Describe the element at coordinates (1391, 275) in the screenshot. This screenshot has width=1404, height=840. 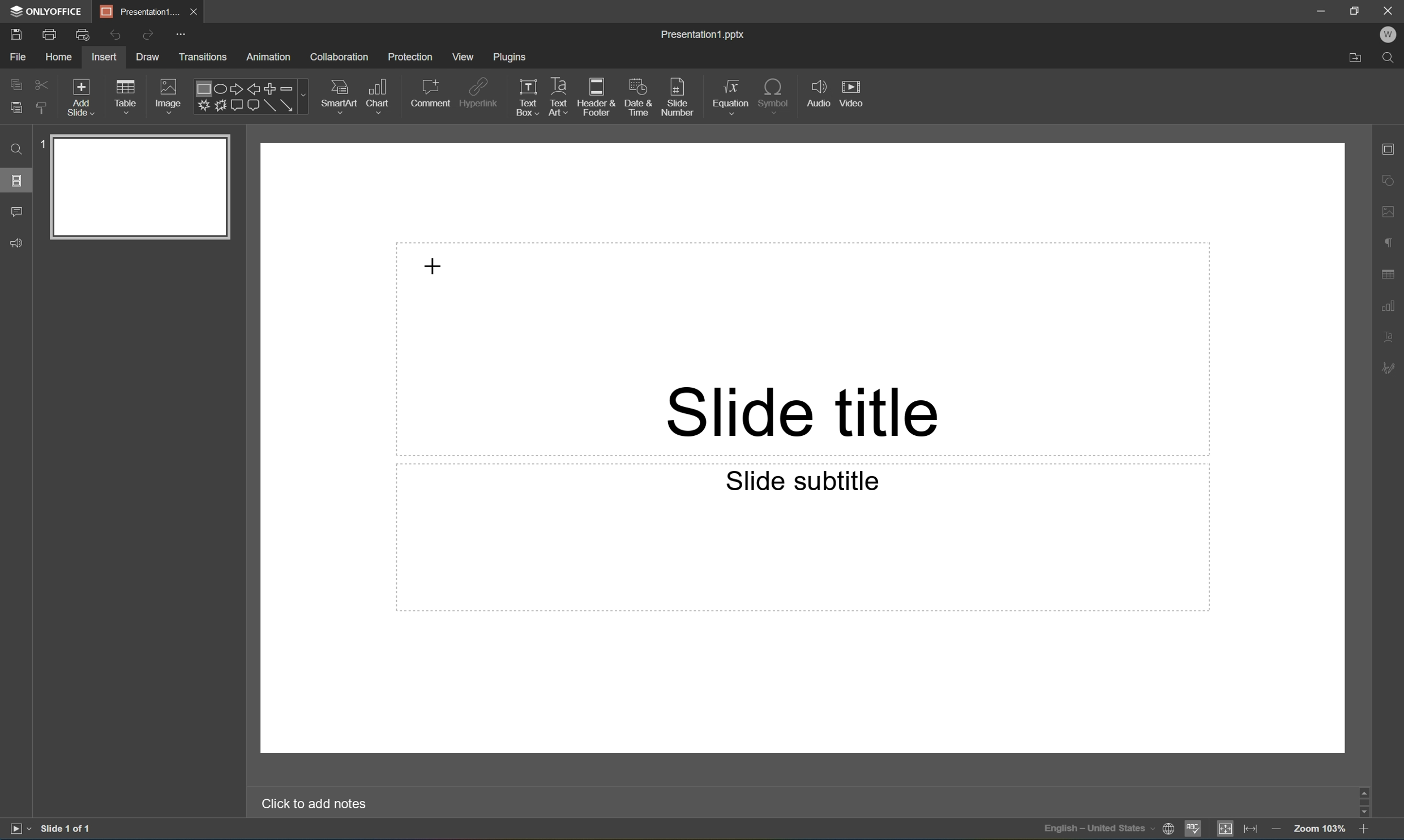
I see `Table settings` at that location.